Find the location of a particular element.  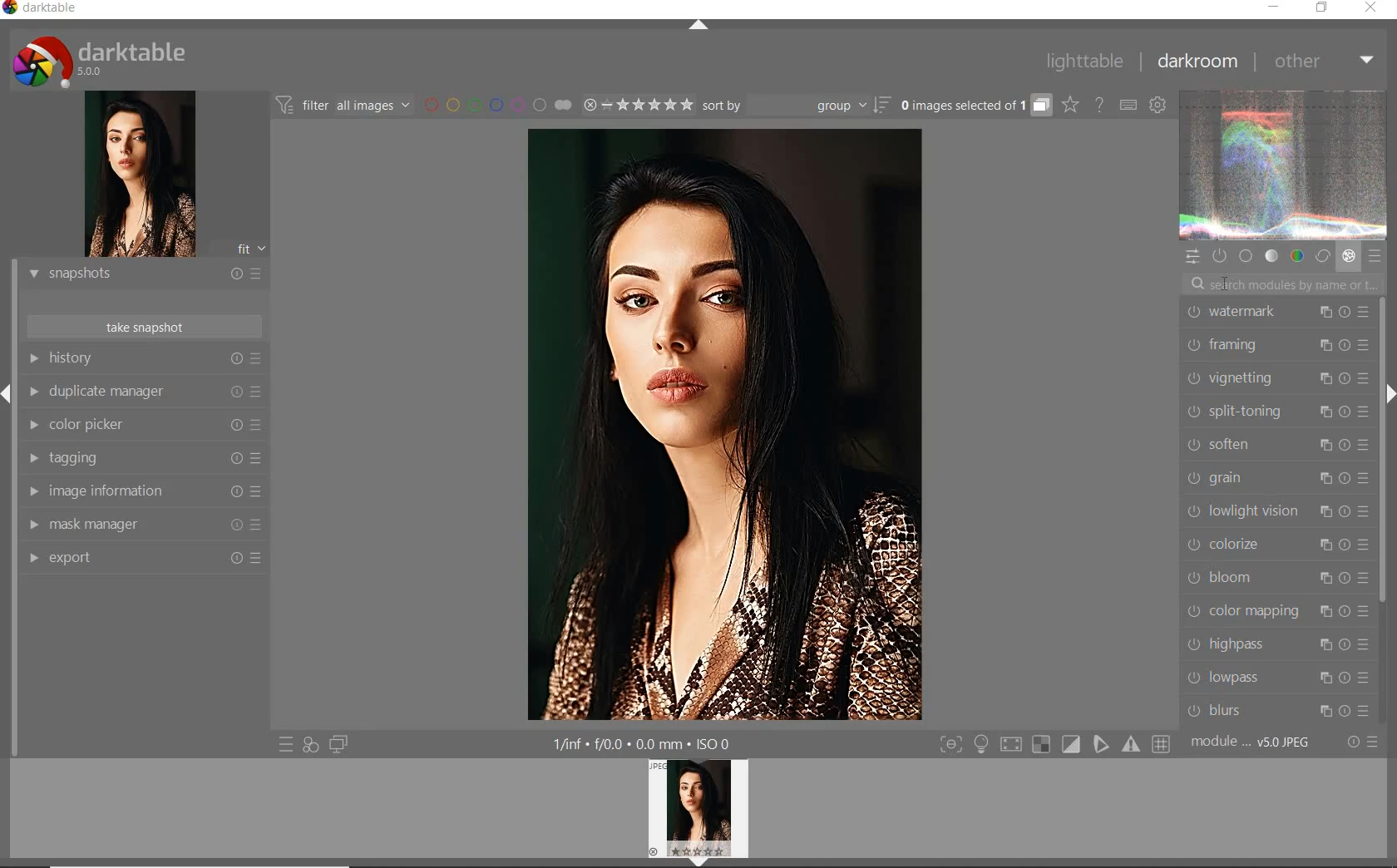

display a second darkroom image below is located at coordinates (340, 743).